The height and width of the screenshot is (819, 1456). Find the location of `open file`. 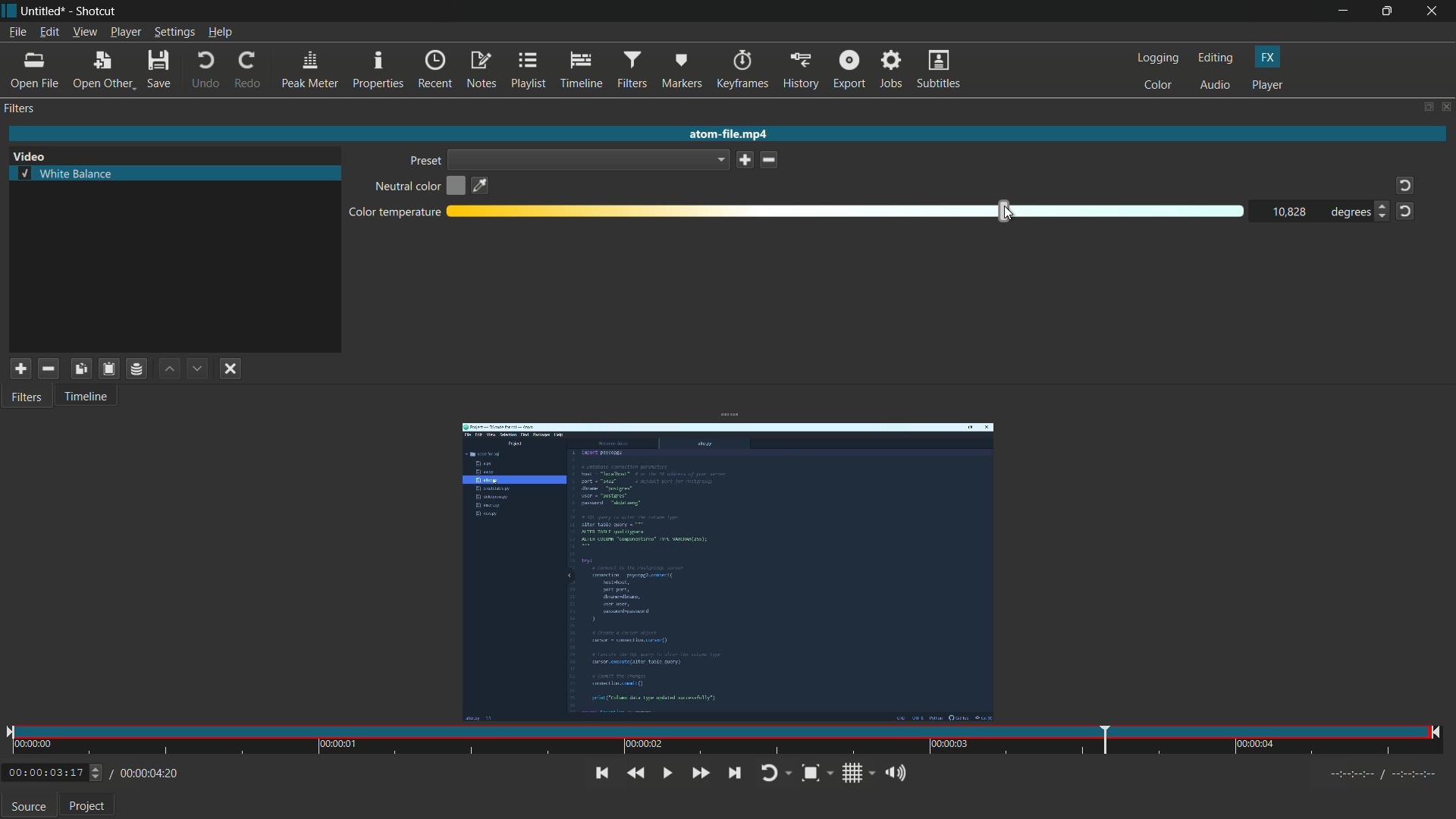

open file is located at coordinates (36, 70).